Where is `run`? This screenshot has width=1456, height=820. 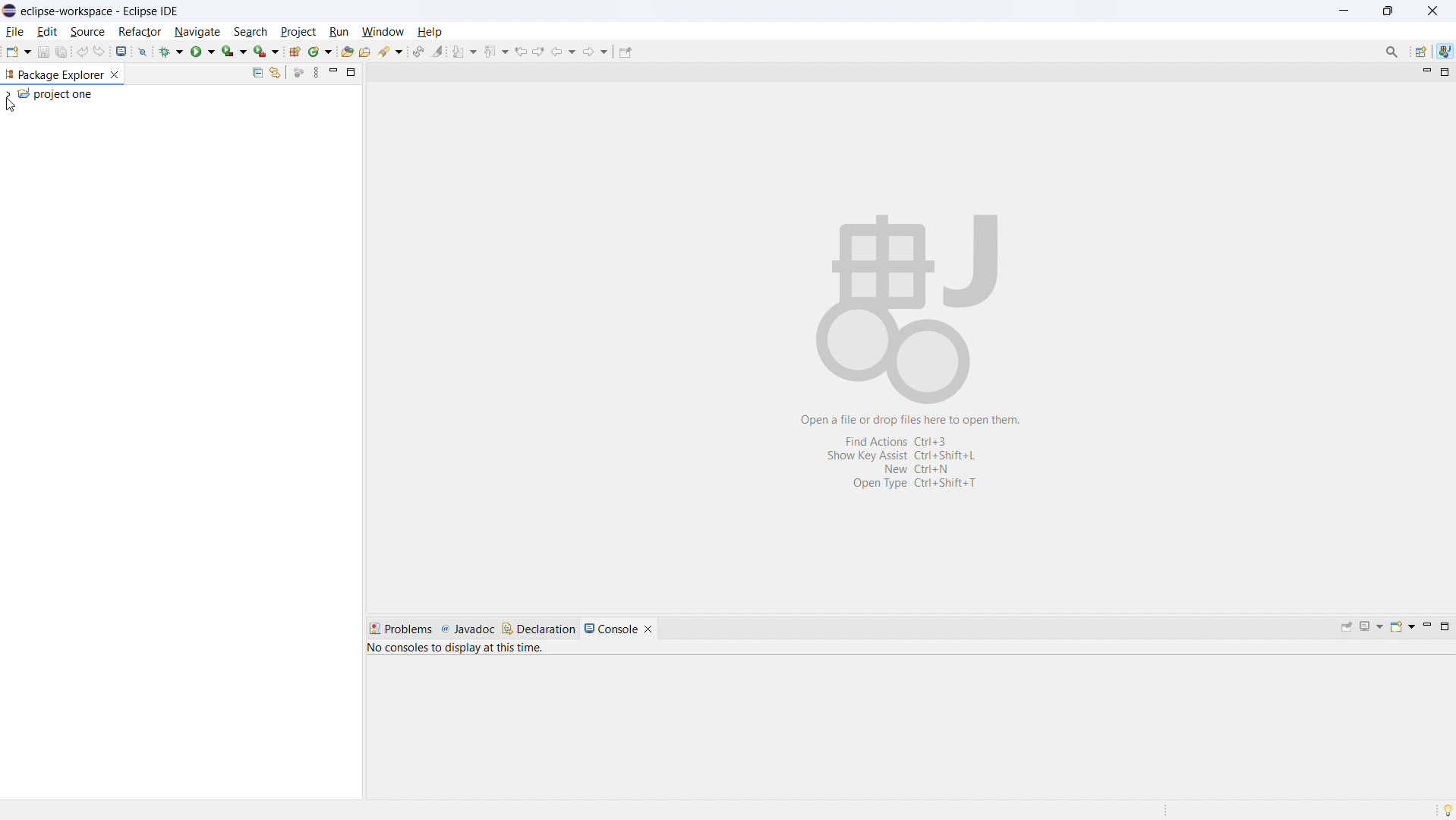 run is located at coordinates (203, 52).